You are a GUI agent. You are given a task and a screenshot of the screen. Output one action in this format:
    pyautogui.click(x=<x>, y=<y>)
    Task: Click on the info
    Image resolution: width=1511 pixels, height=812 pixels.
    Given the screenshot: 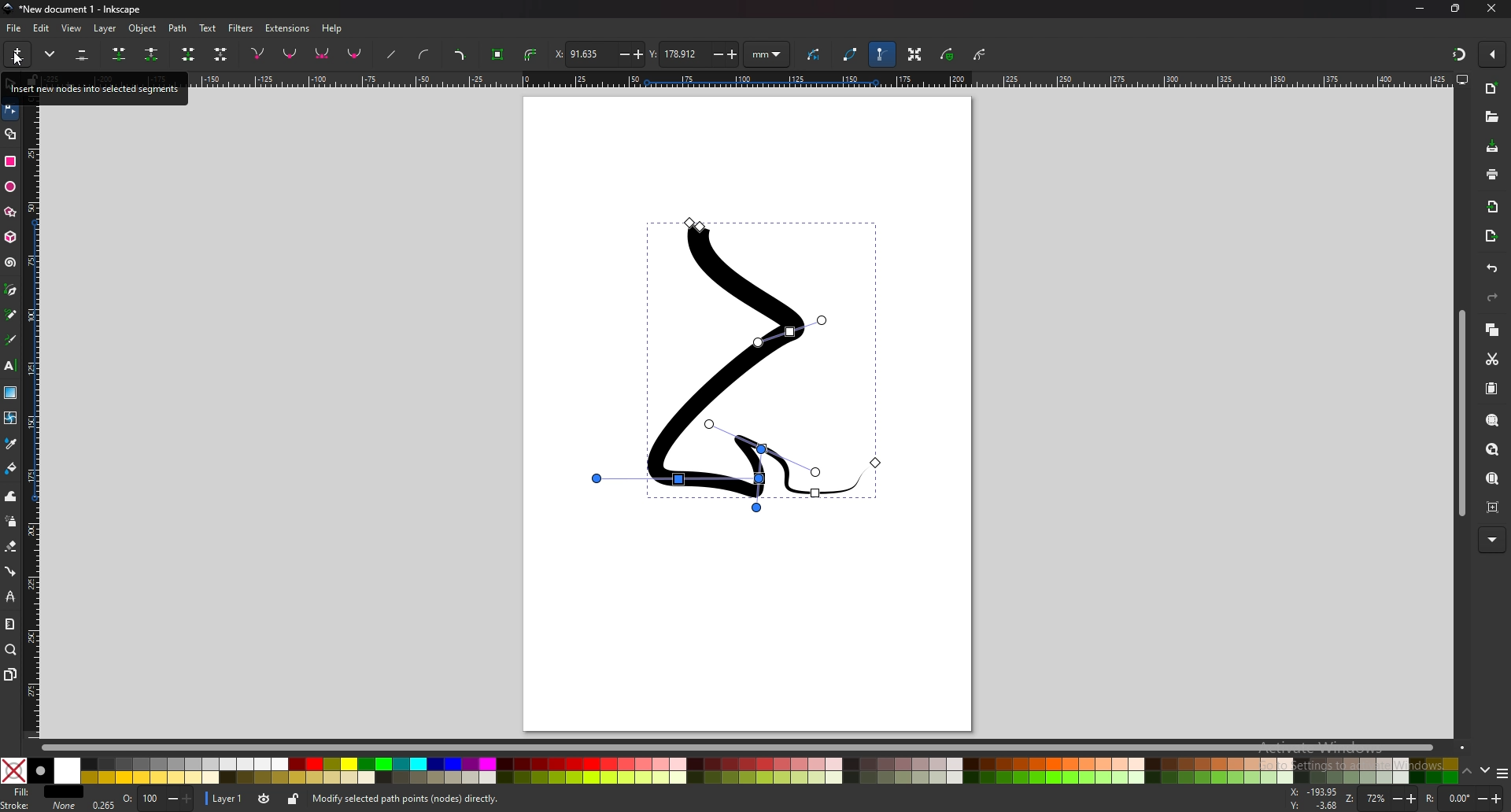 What is the action you would take?
    pyautogui.click(x=545, y=799)
    